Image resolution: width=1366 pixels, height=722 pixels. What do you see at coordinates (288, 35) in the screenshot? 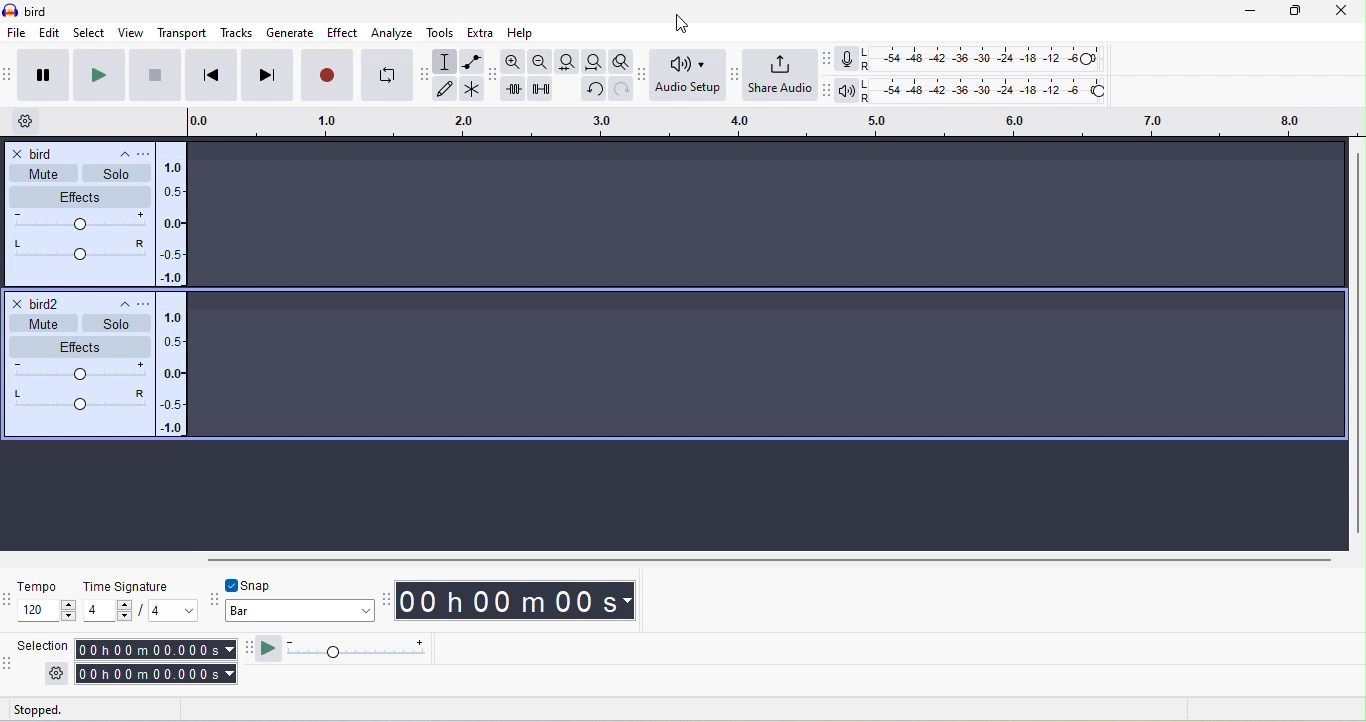
I see `generate` at bounding box center [288, 35].